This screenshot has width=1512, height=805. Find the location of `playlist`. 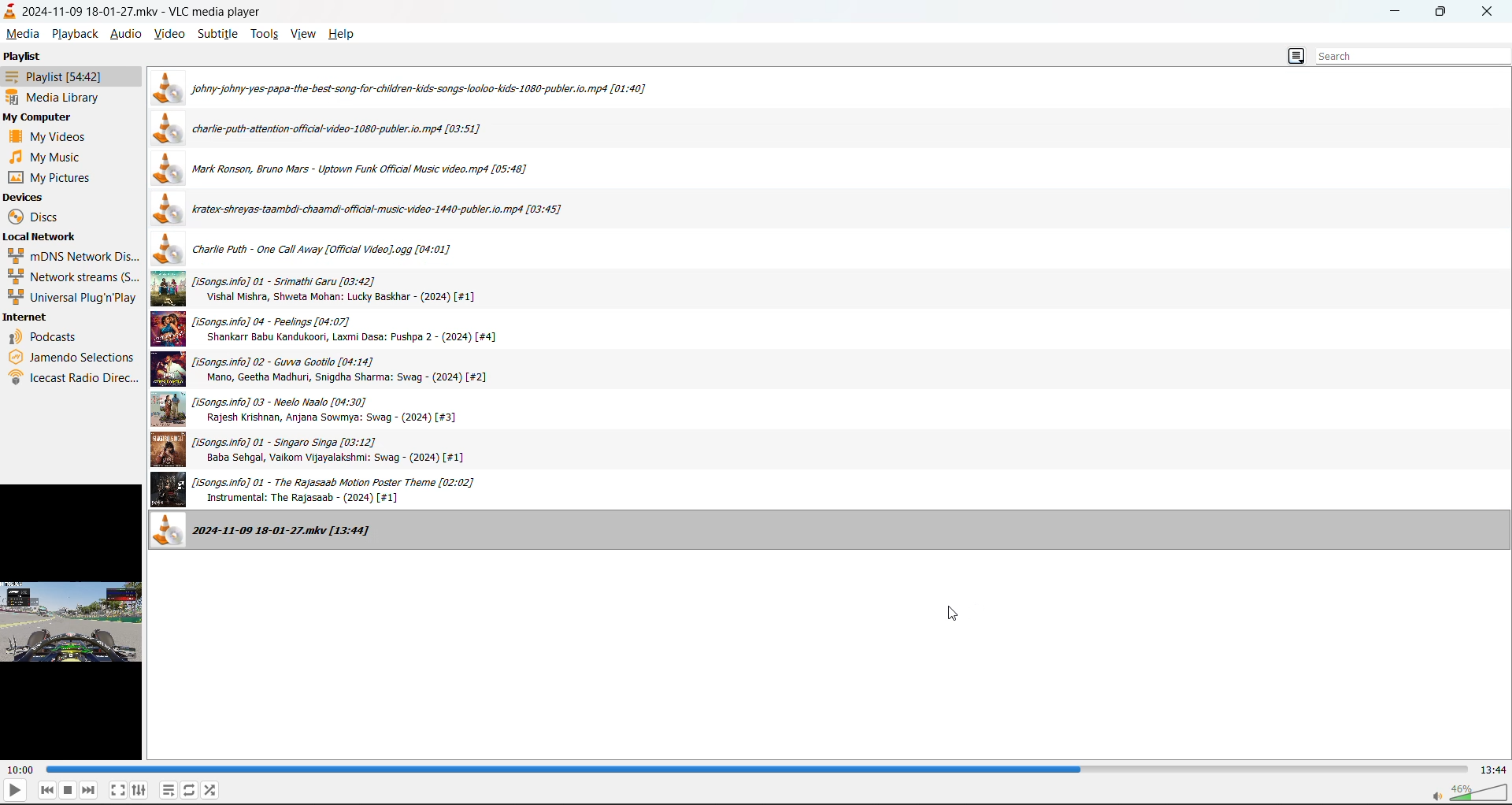

playlist is located at coordinates (28, 57).